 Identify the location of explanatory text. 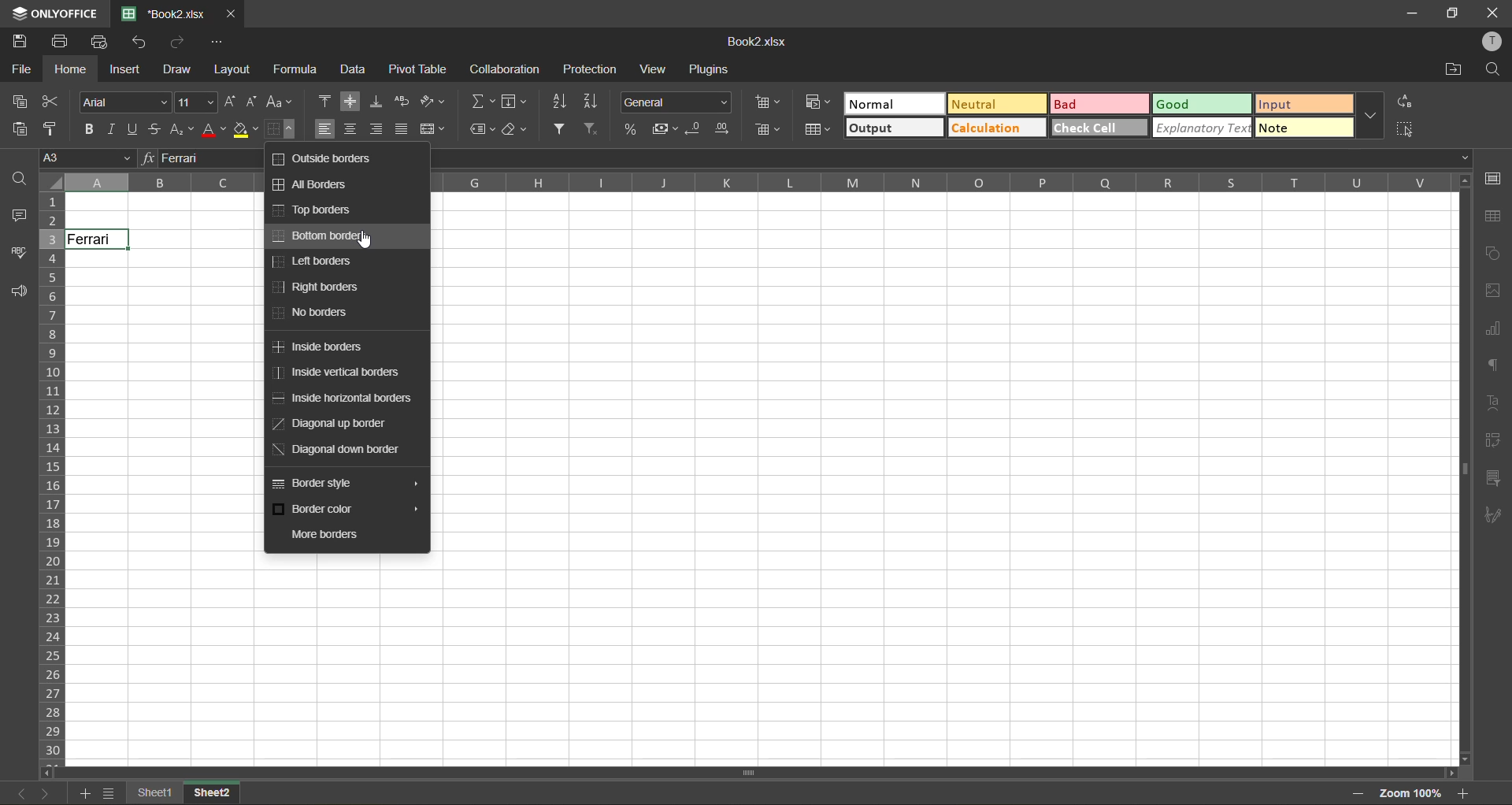
(1197, 128).